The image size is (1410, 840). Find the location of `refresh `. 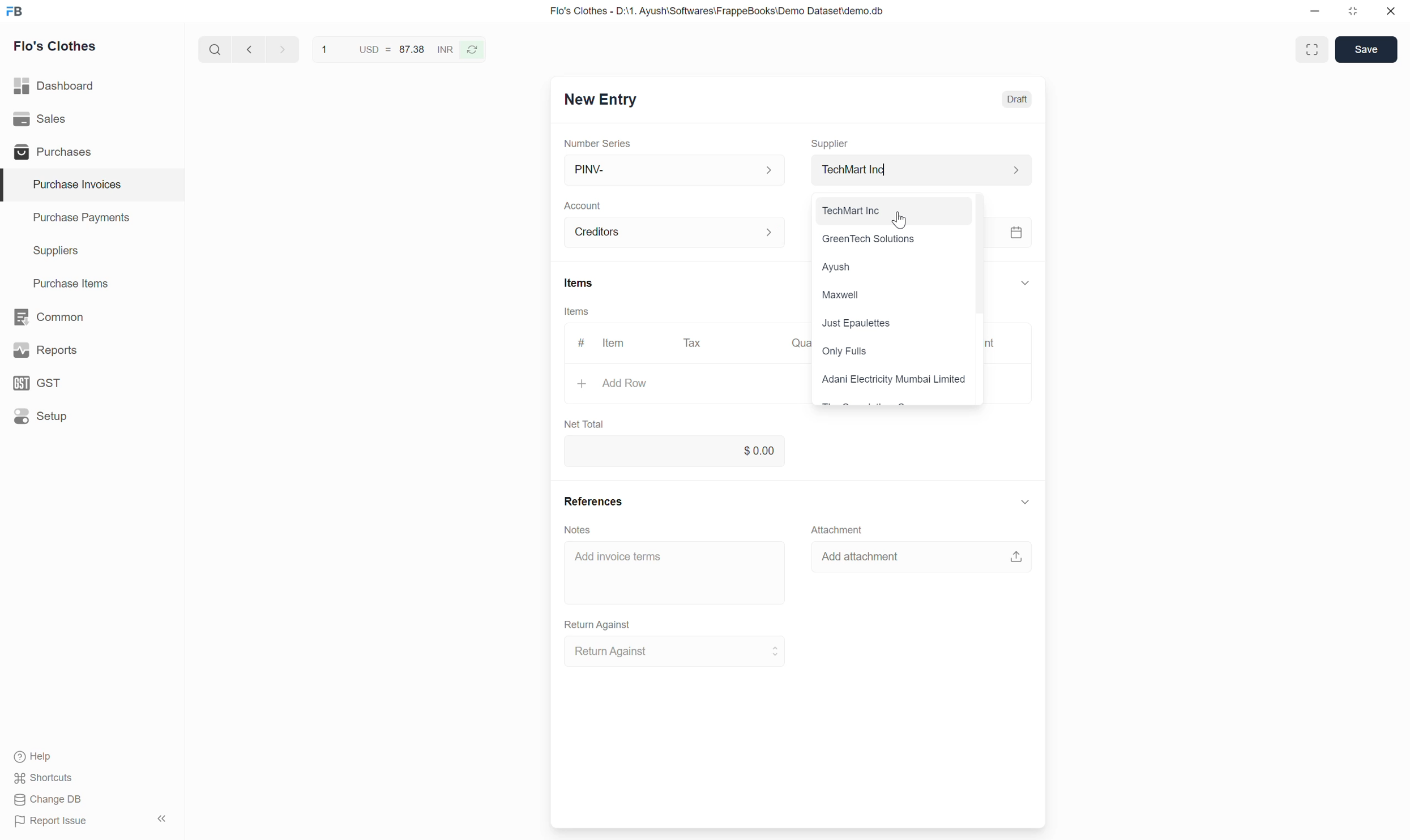

refresh  is located at coordinates (474, 49).